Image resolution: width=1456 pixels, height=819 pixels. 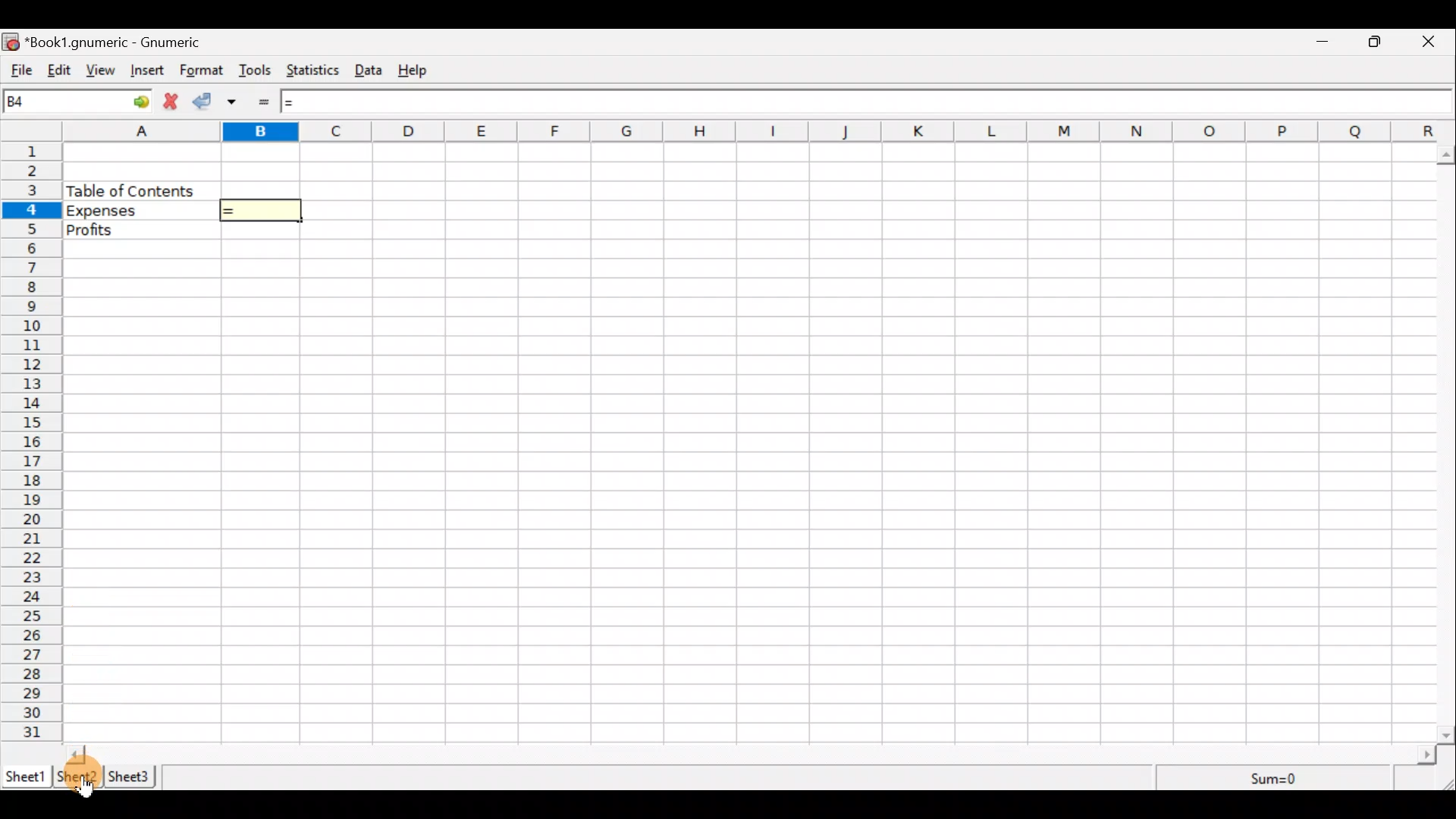 I want to click on Expenses, so click(x=137, y=212).